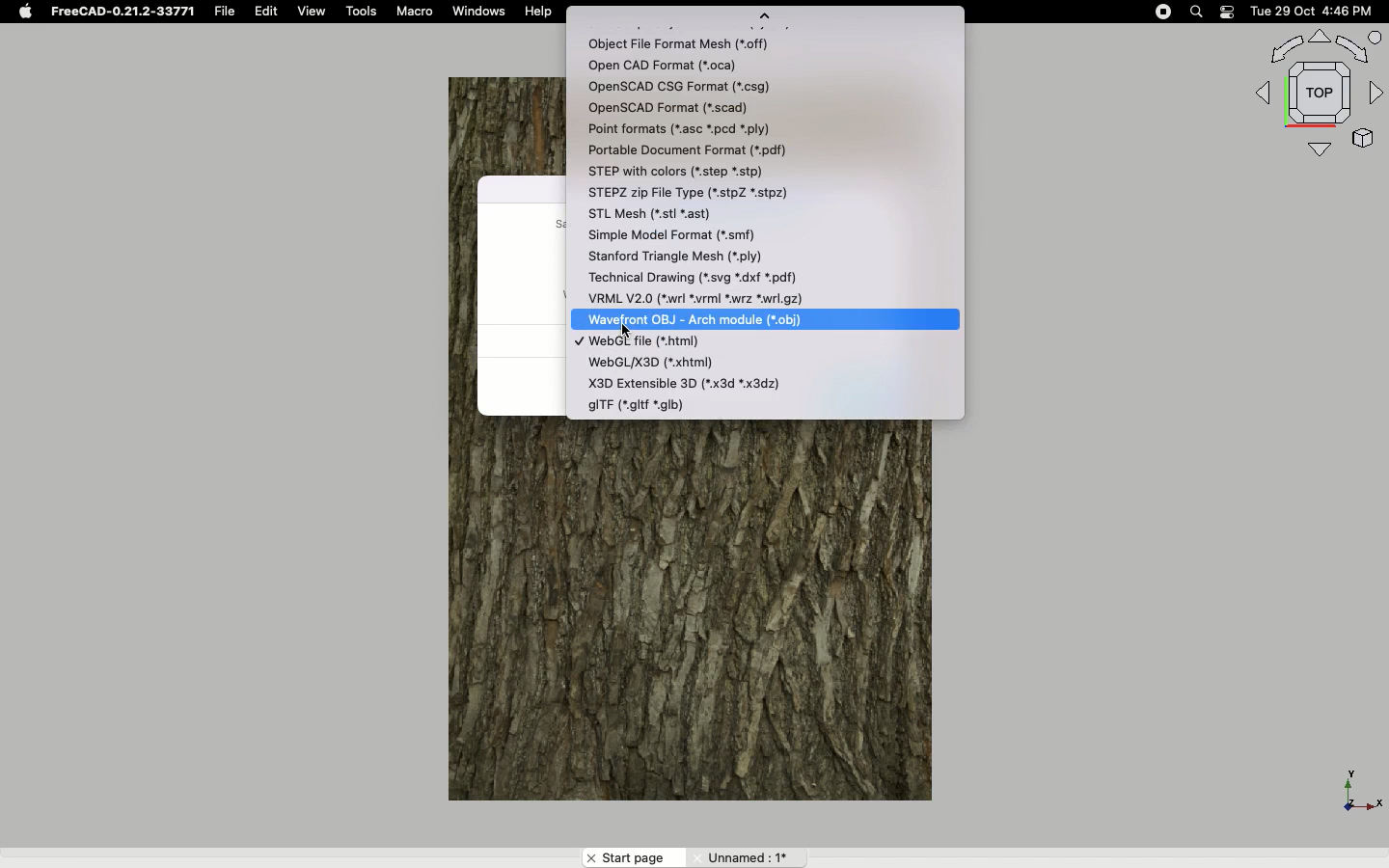 The image size is (1389, 868). What do you see at coordinates (364, 12) in the screenshot?
I see `Tools` at bounding box center [364, 12].